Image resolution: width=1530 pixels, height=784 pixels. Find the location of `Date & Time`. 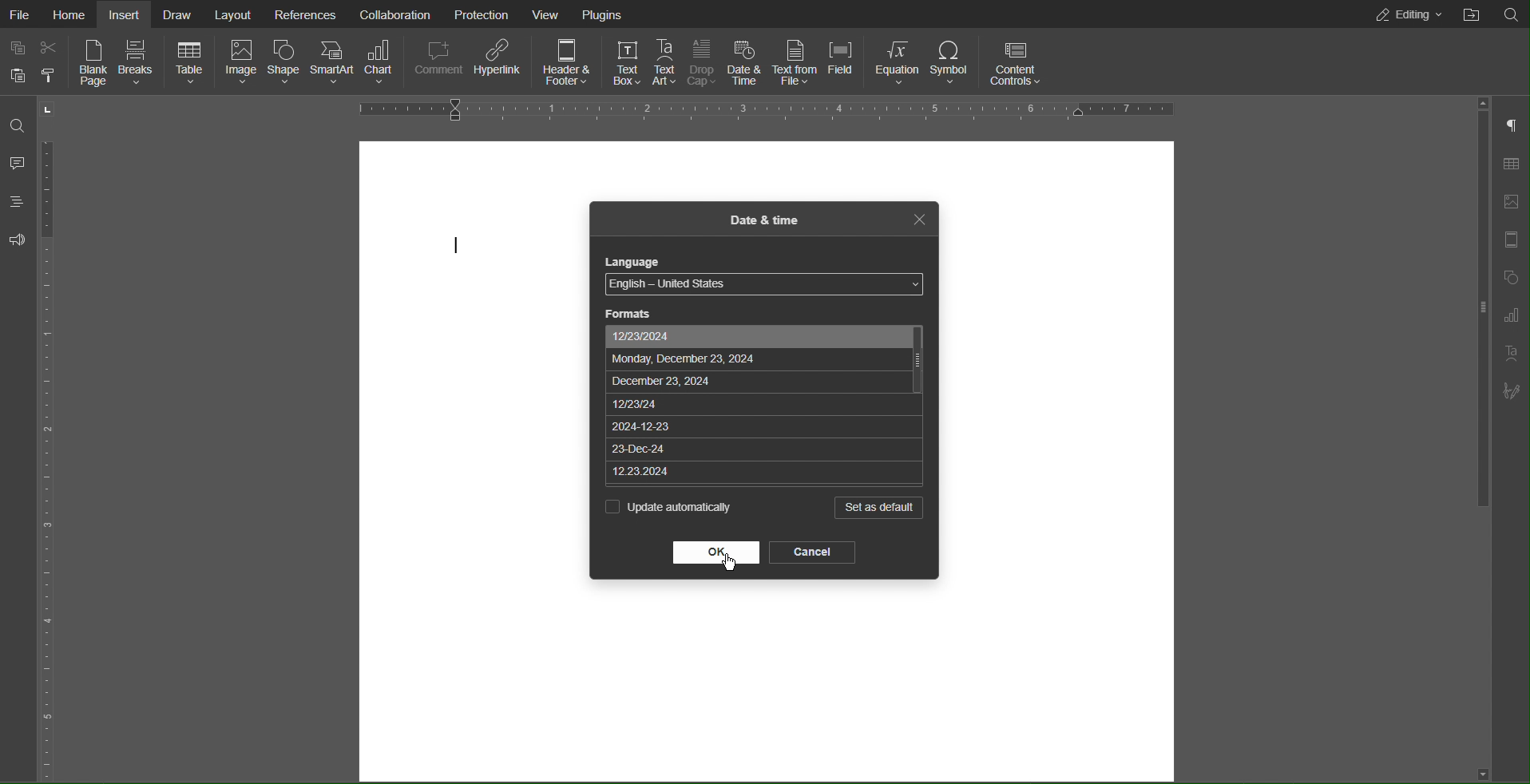

Date & Time is located at coordinates (745, 60).